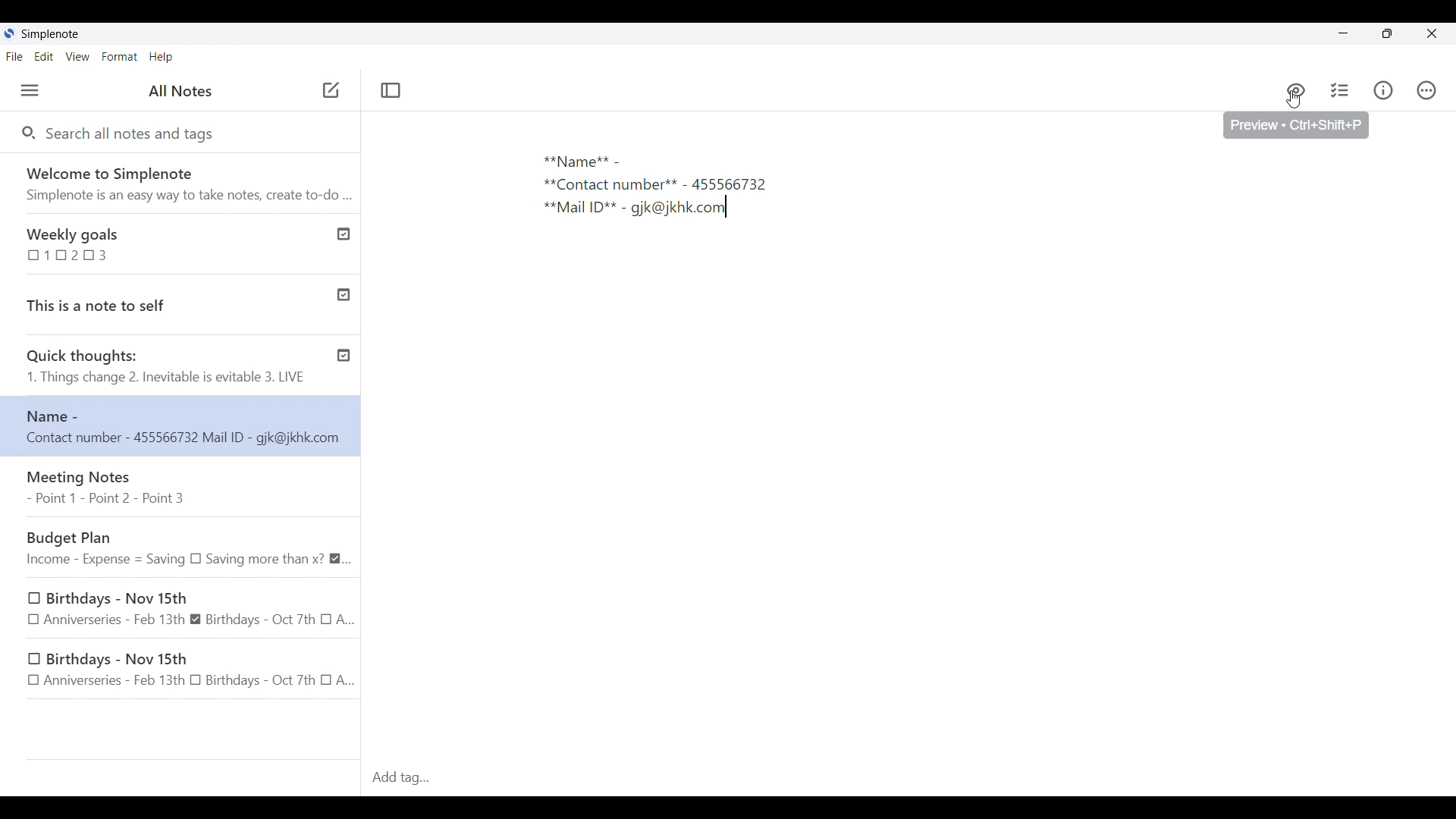  I want to click on Description of Preview toggle, so click(1296, 125).